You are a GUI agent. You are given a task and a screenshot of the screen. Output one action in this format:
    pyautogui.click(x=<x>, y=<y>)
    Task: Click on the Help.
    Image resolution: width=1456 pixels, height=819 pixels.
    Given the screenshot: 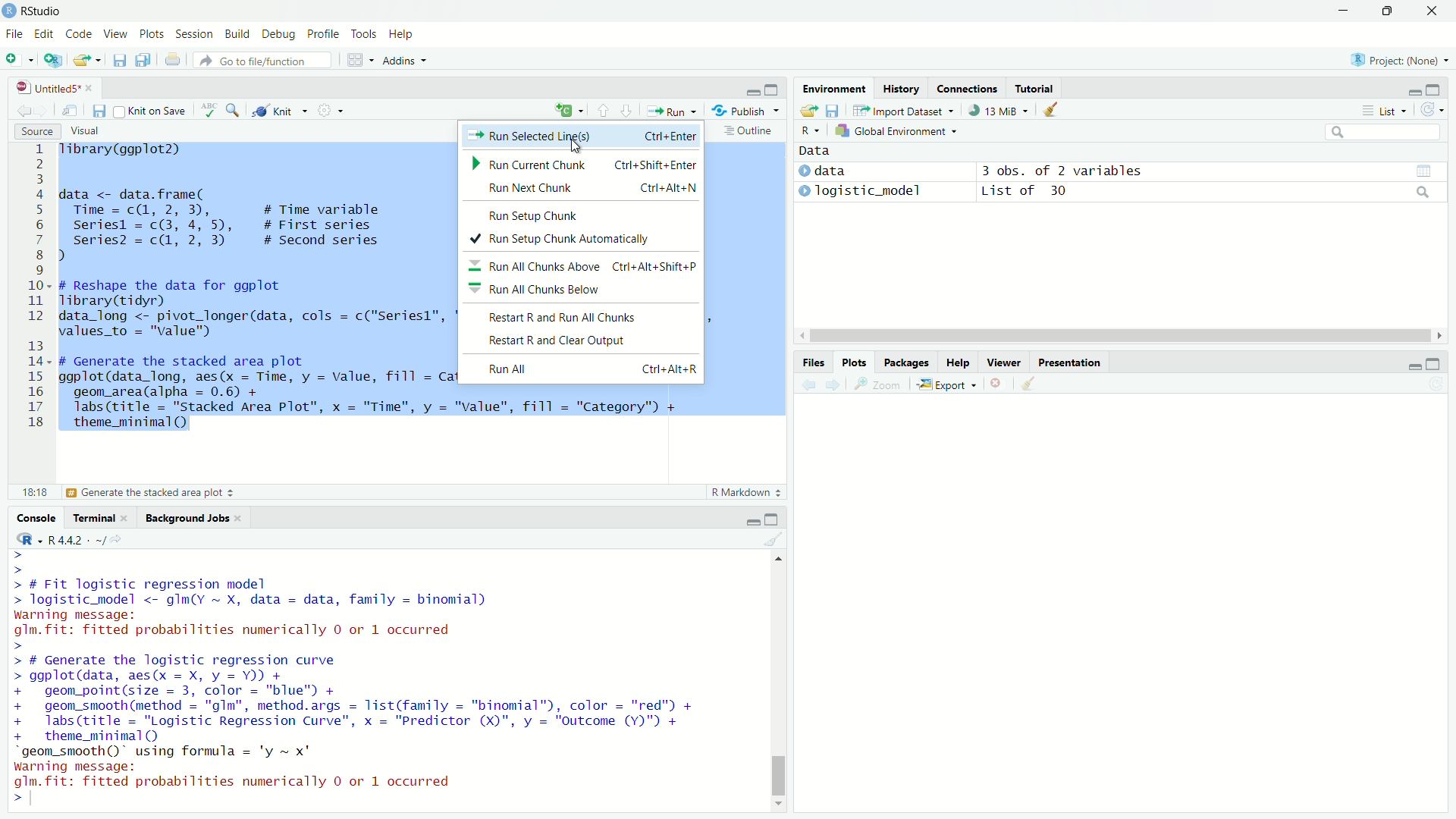 What is the action you would take?
    pyautogui.click(x=958, y=362)
    